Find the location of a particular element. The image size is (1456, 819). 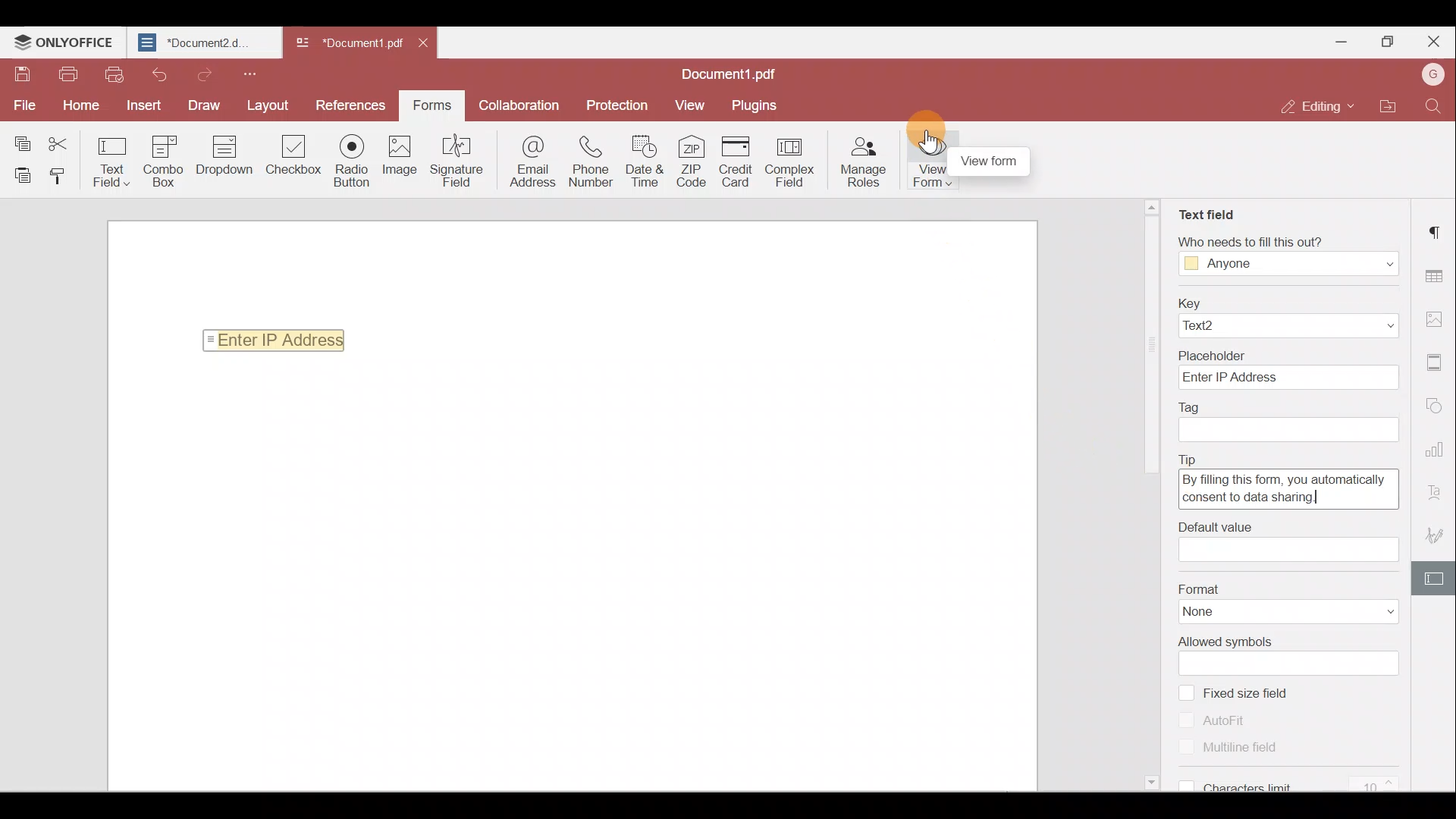

Working area is located at coordinates (570, 577).